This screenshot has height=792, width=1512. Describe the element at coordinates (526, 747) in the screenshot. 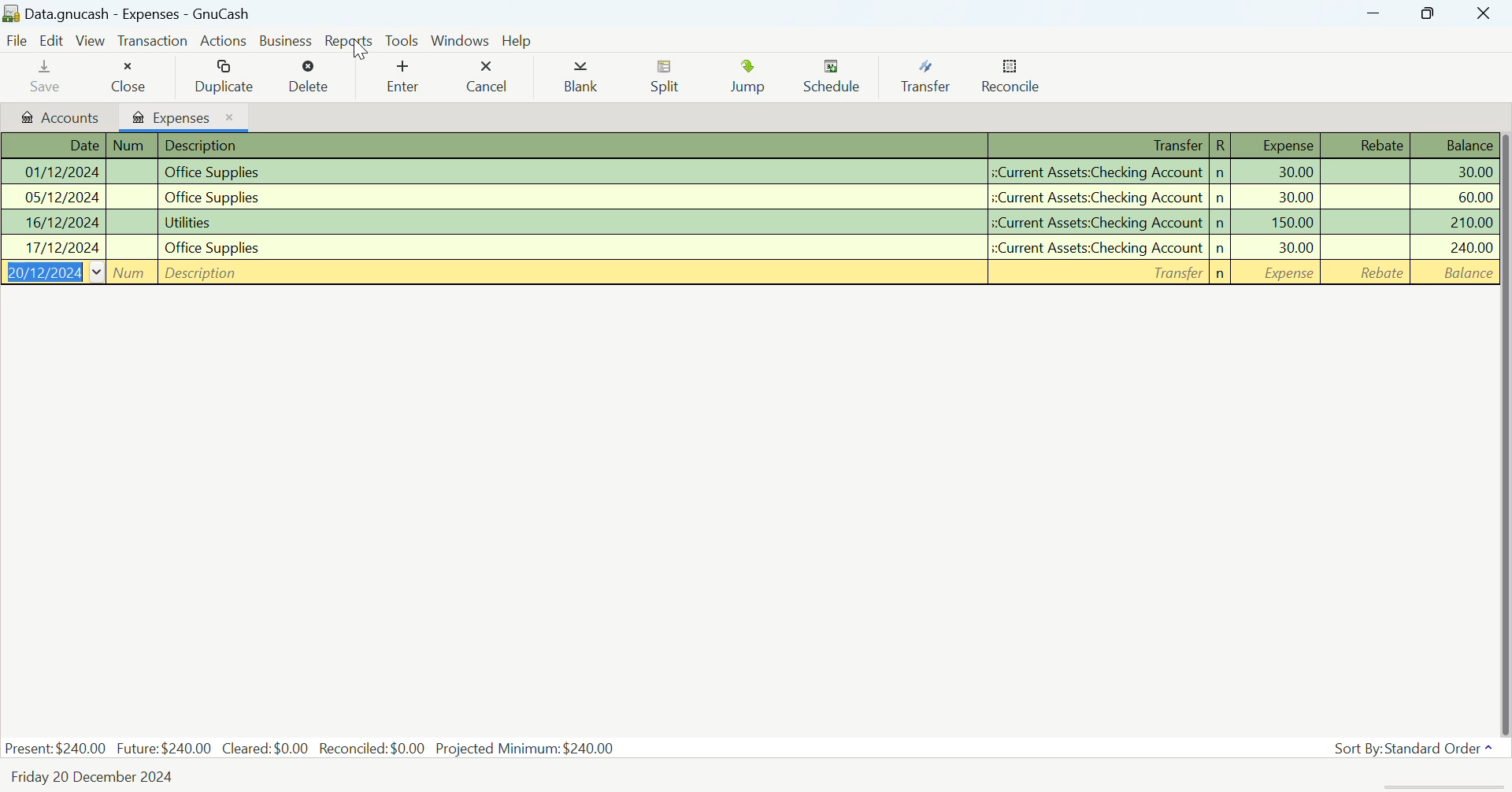

I see `Projected` at that location.